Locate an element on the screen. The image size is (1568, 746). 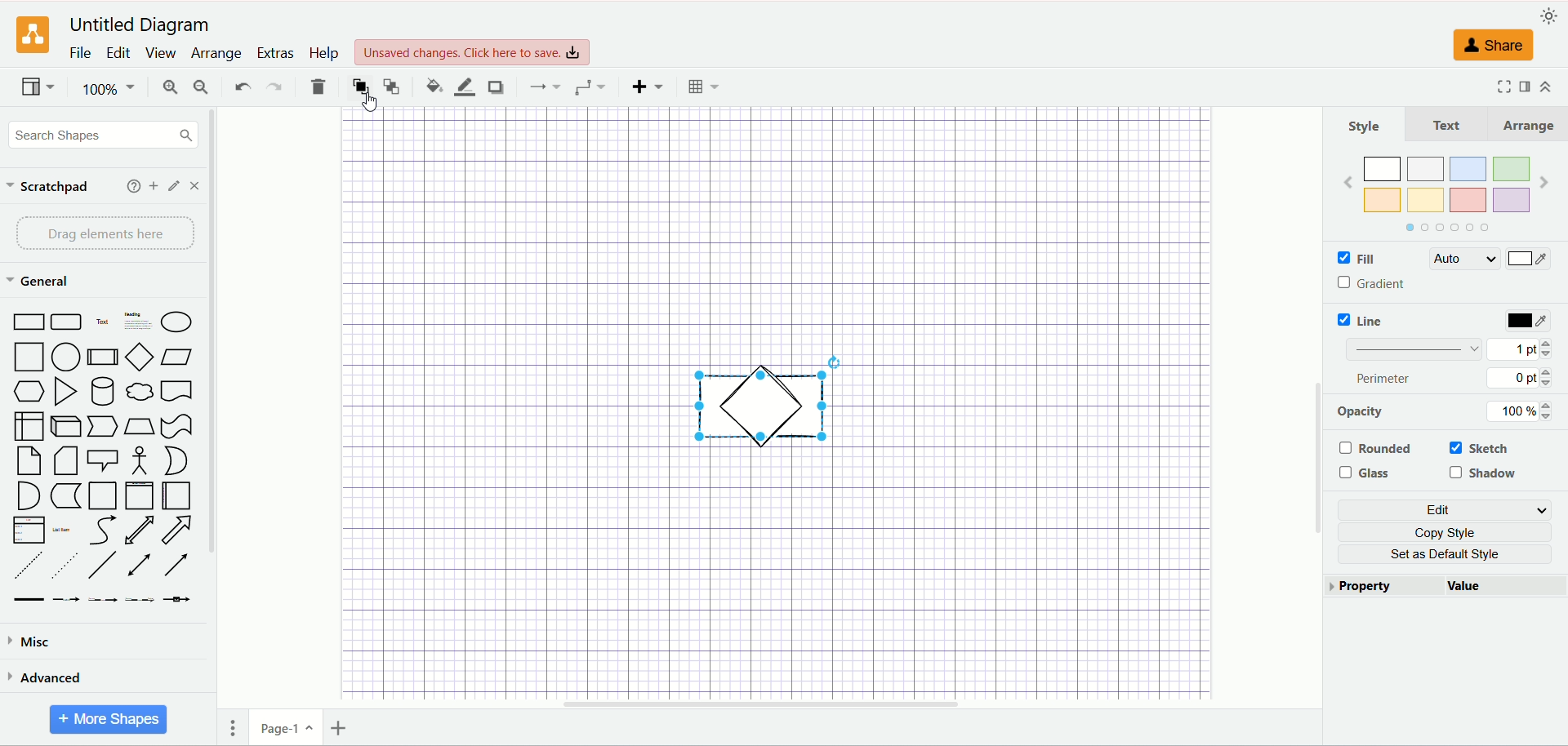
Cylinder is located at coordinates (105, 391).